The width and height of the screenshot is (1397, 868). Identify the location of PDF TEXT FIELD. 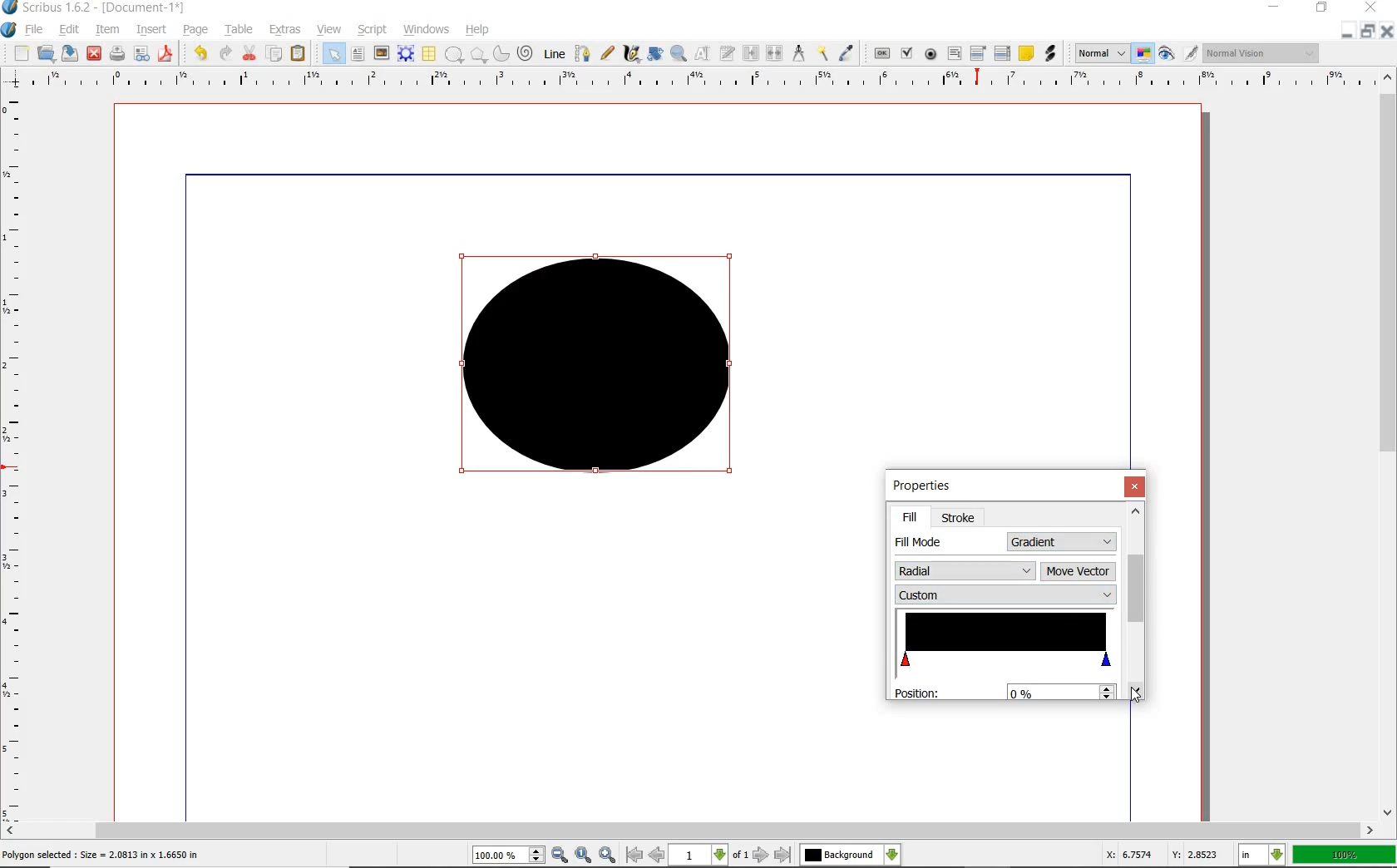
(954, 53).